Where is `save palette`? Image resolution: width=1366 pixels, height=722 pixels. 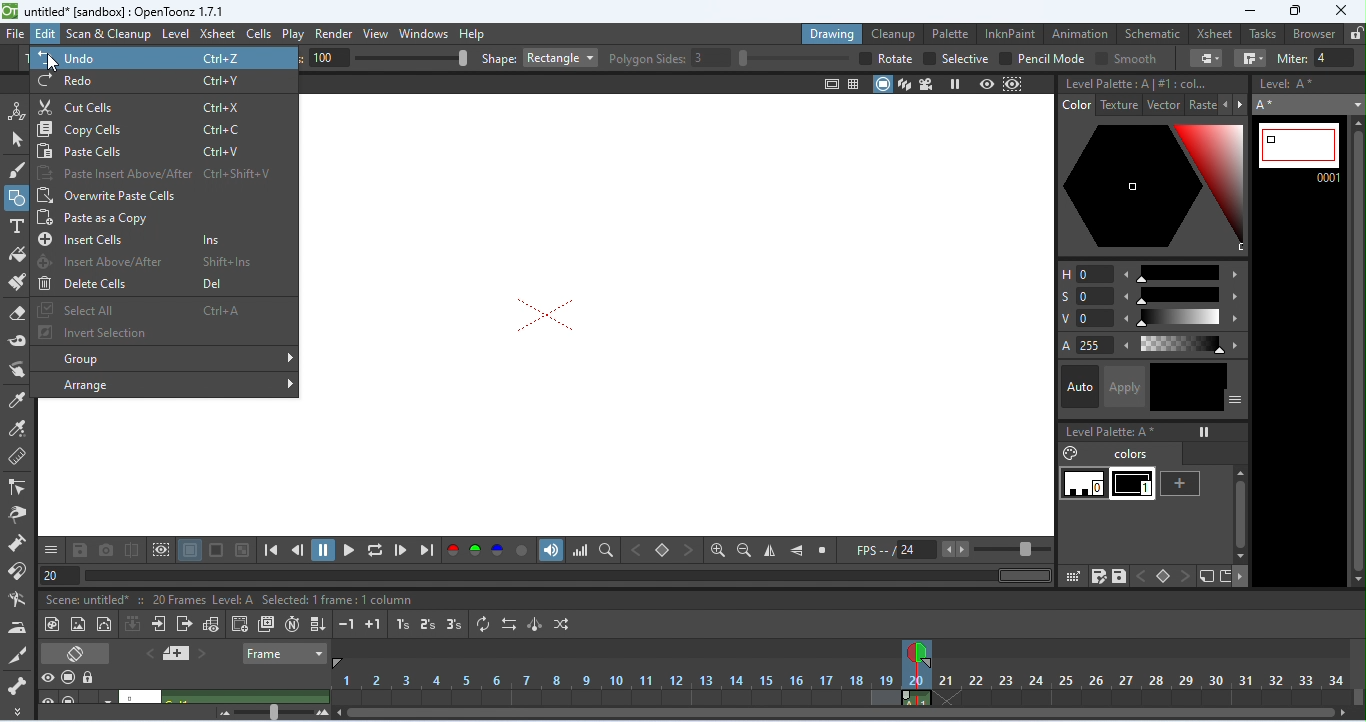
save palette is located at coordinates (1119, 578).